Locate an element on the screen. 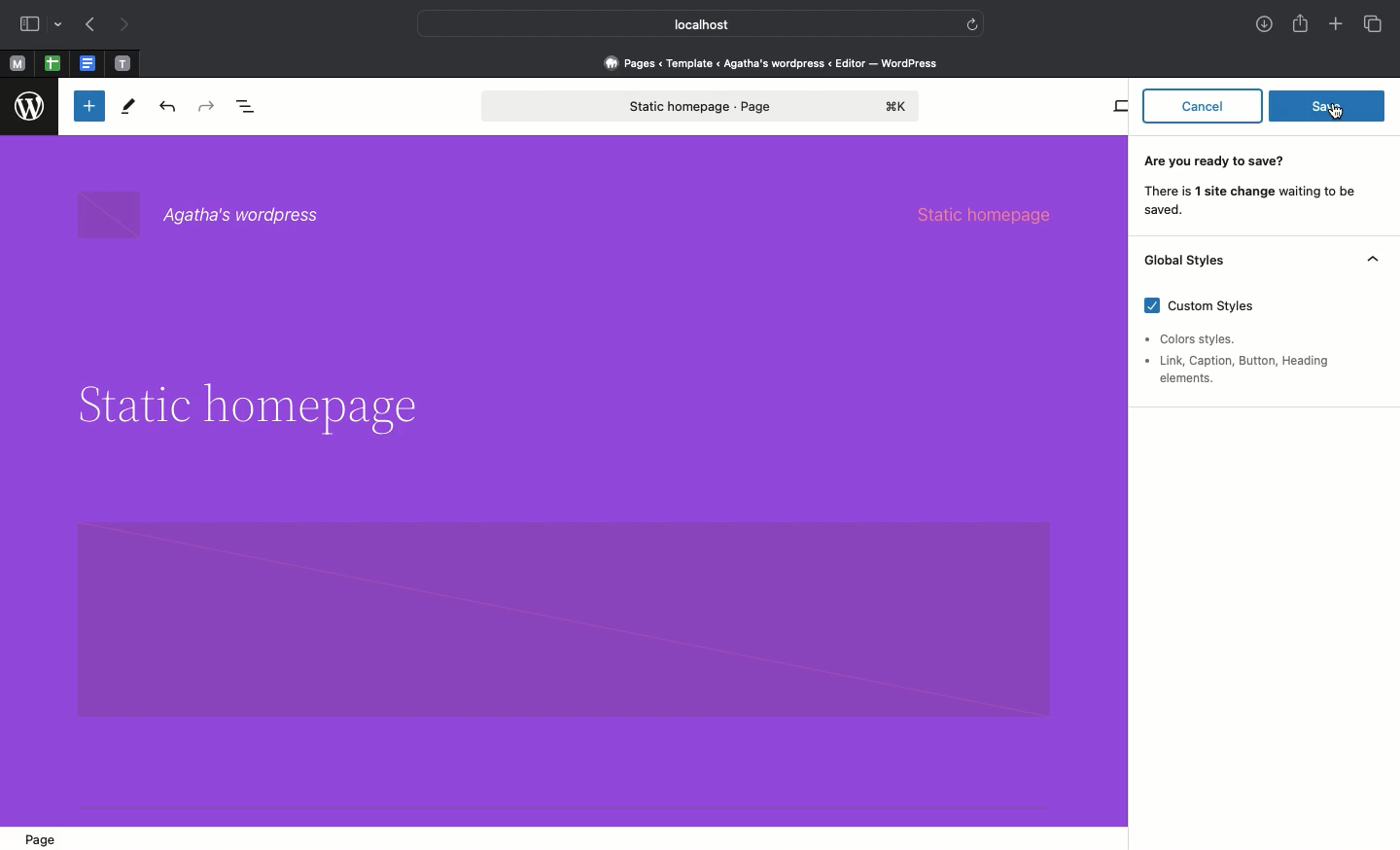  Static homepage is located at coordinates (703, 106).